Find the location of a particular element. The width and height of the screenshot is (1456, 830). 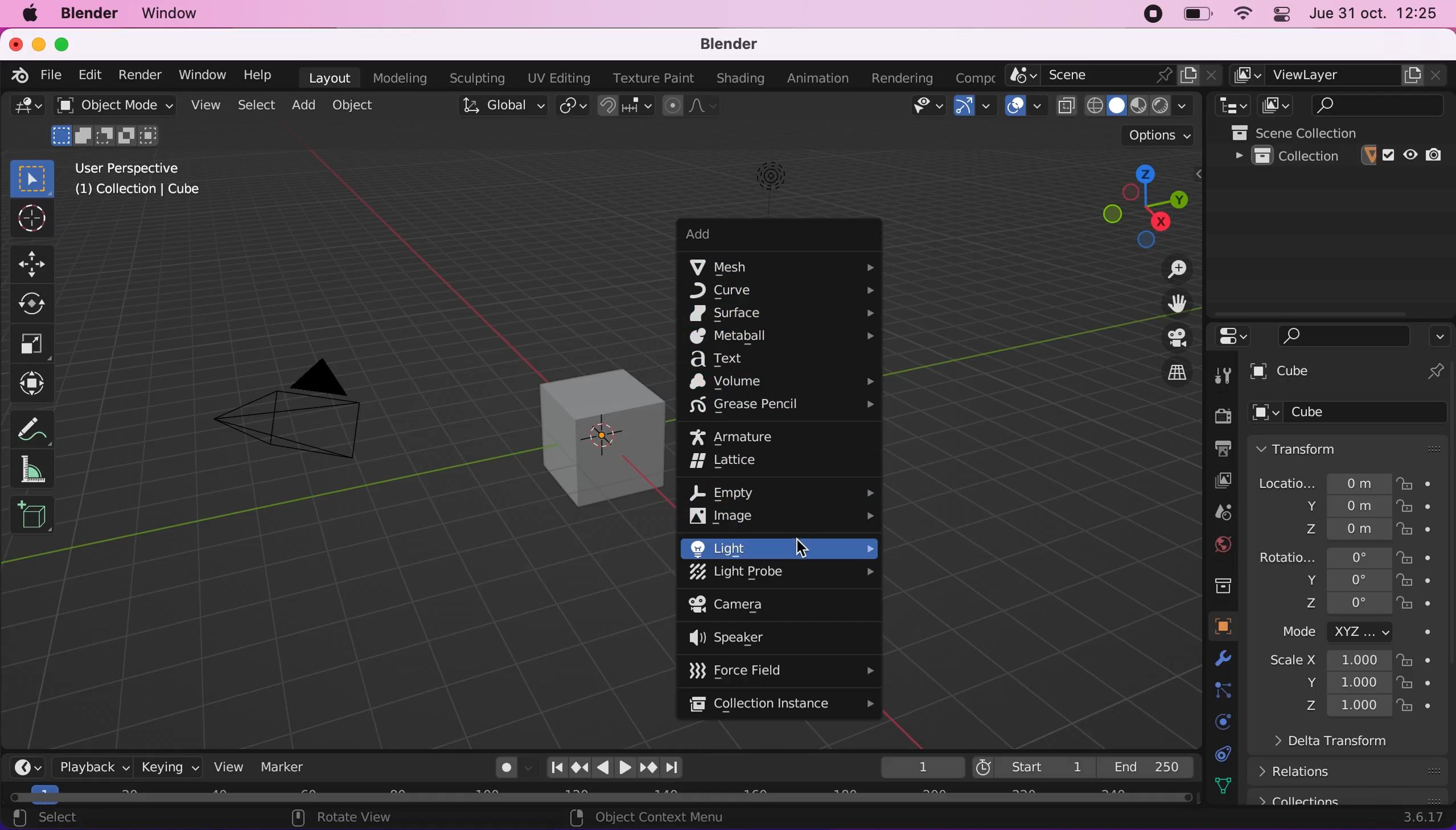

add is located at coordinates (306, 107).